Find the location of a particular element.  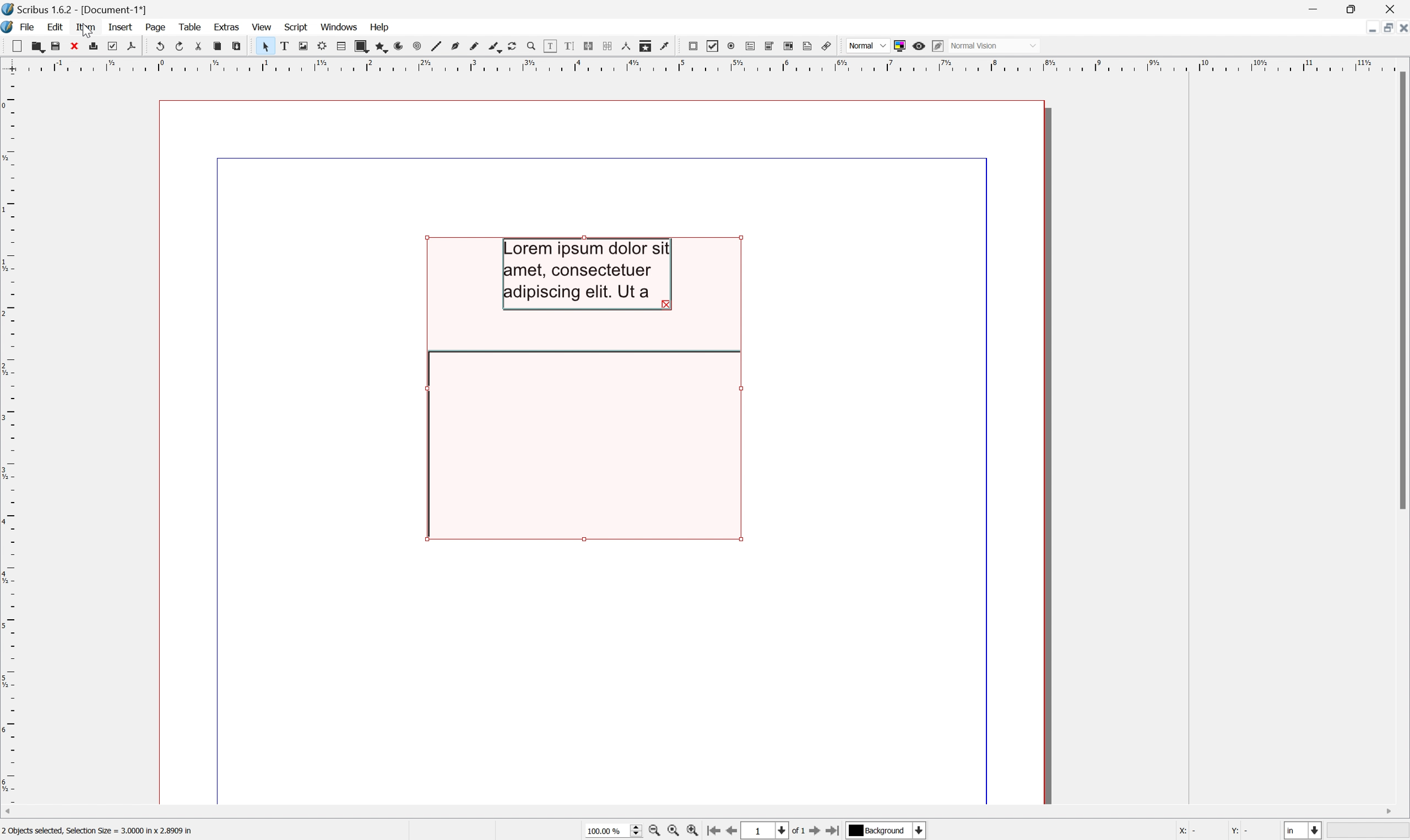

Windows is located at coordinates (342, 28).